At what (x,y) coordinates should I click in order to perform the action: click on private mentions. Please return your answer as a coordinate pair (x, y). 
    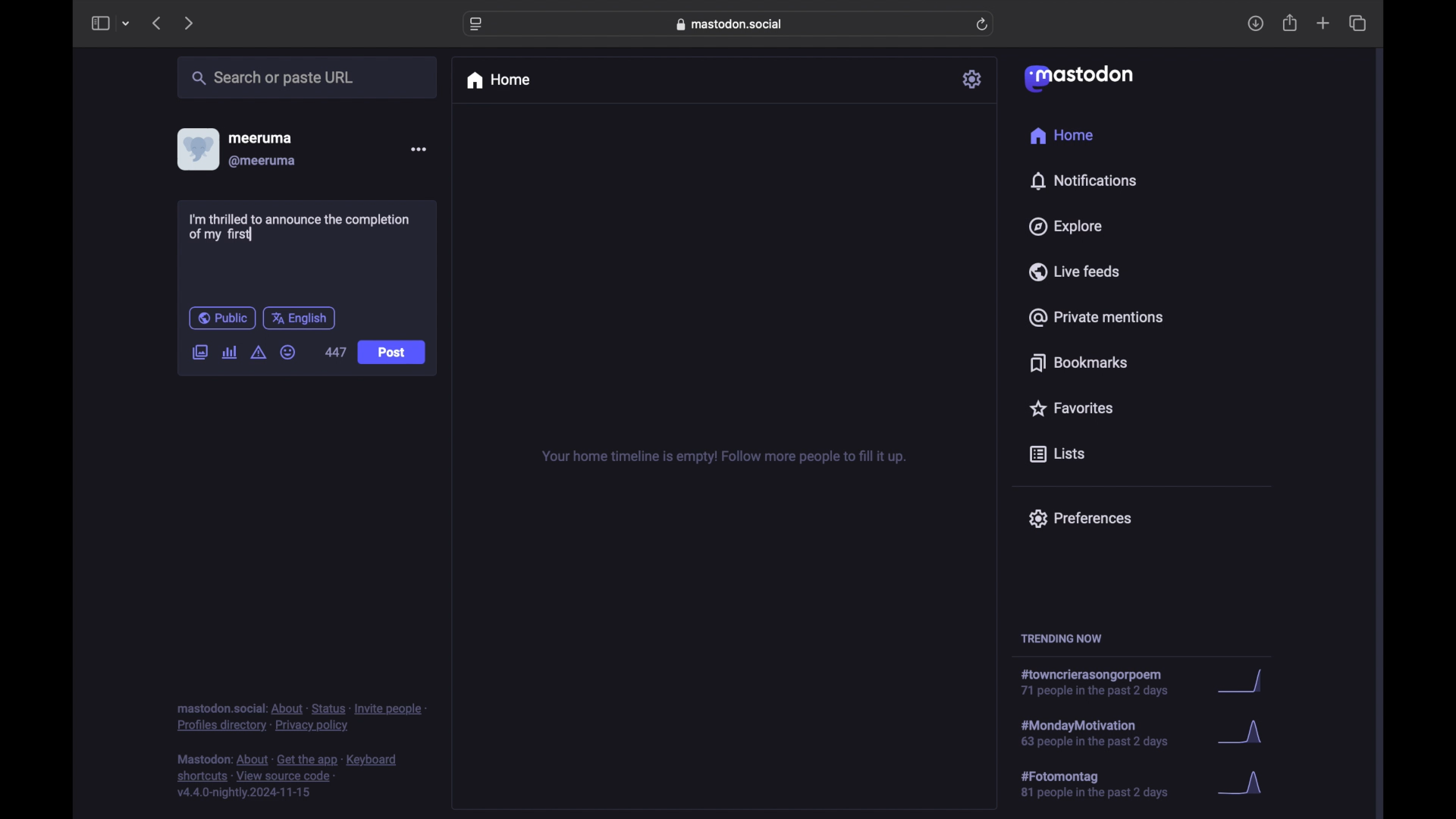
    Looking at the image, I should click on (1095, 317).